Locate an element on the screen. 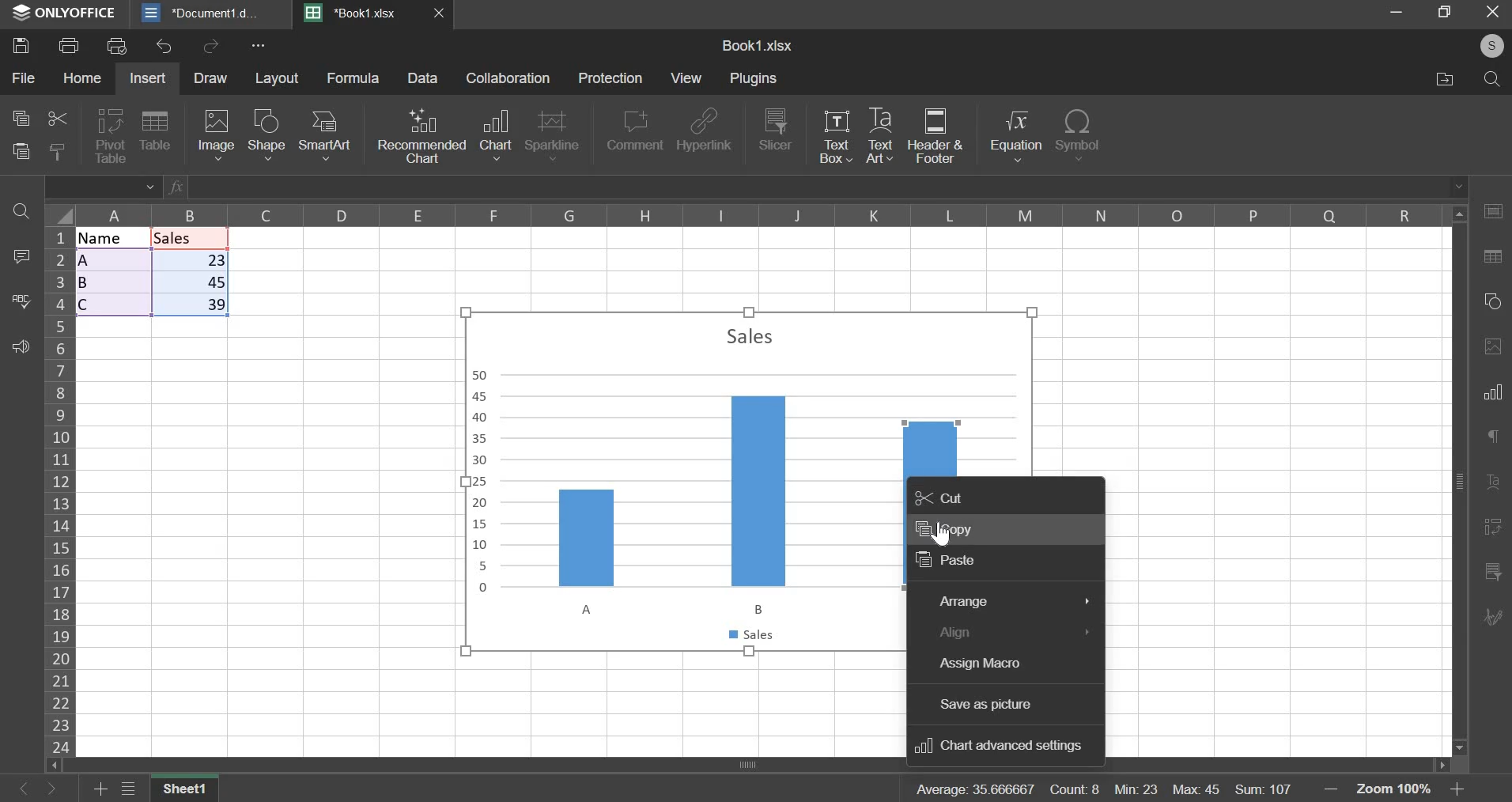 This screenshot has height=802, width=1512. collaboration is located at coordinates (508, 78).